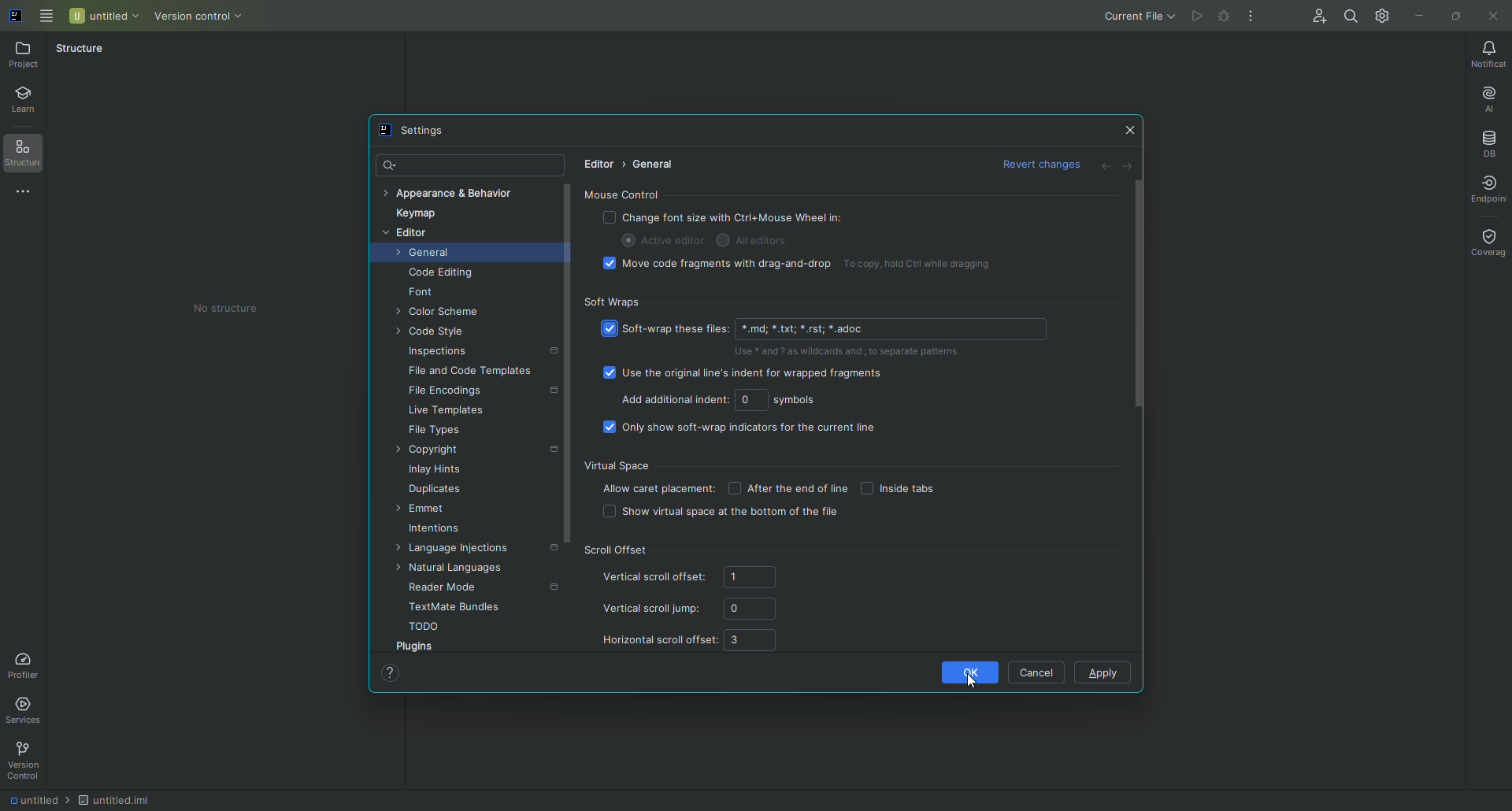  I want to click on Coverage, so click(1486, 243).